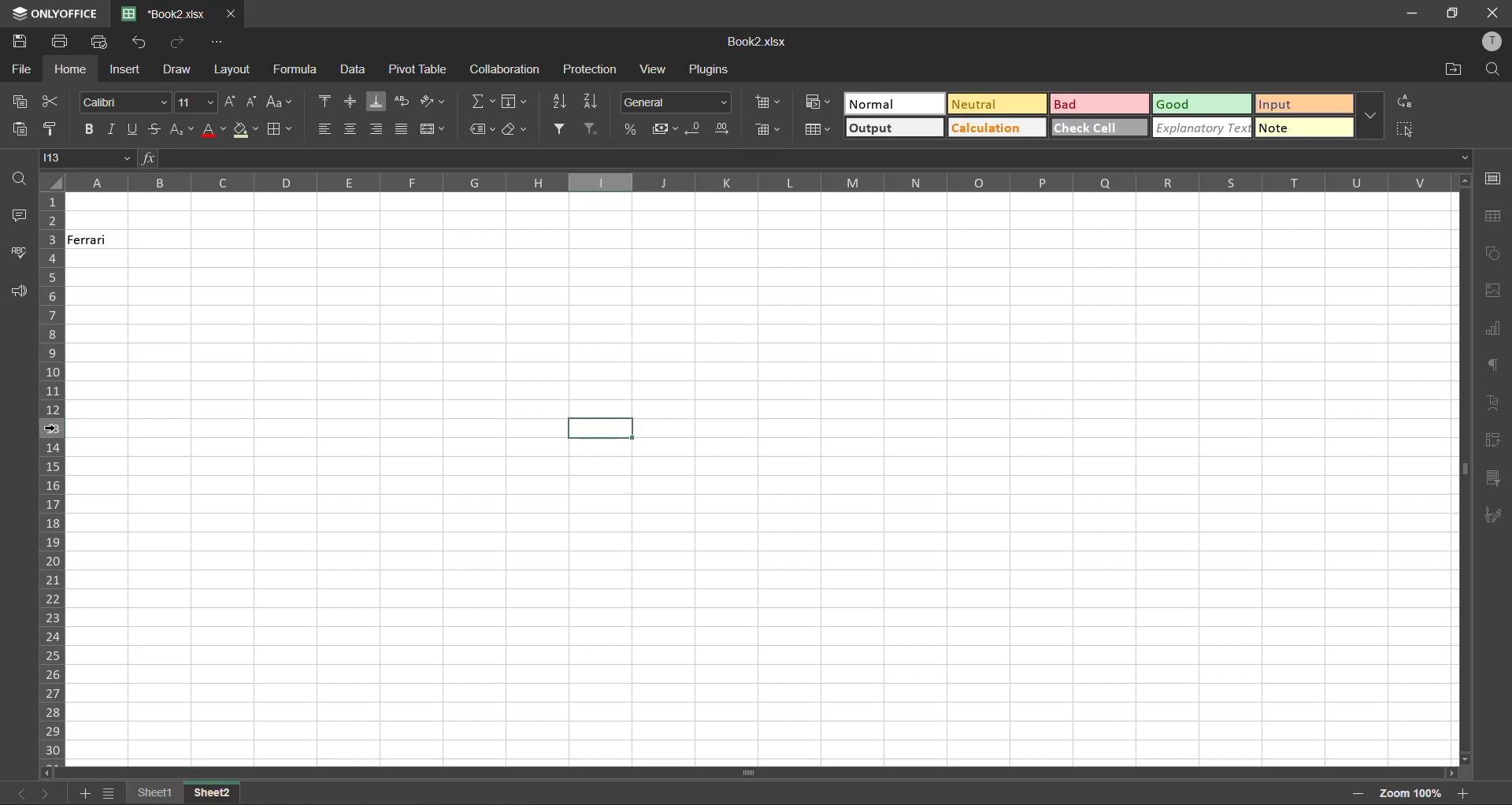 Image resolution: width=1512 pixels, height=805 pixels. I want to click on format as table, so click(818, 129).